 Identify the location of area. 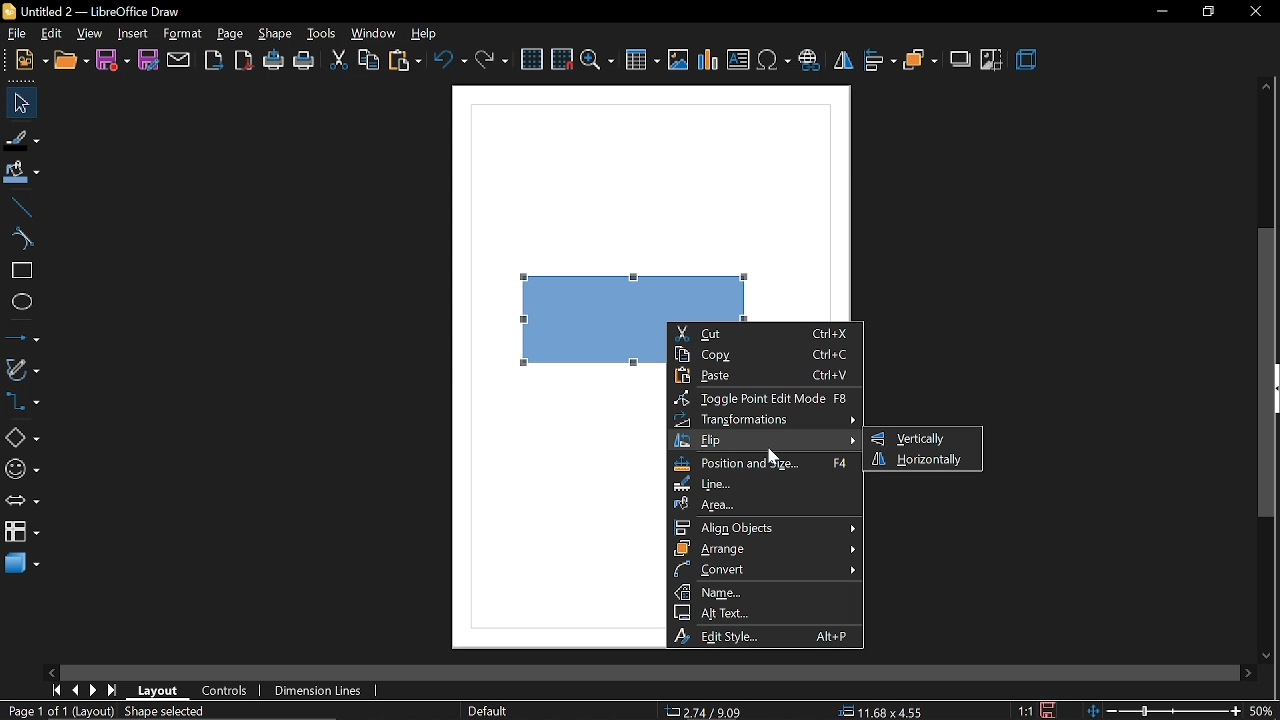
(764, 505).